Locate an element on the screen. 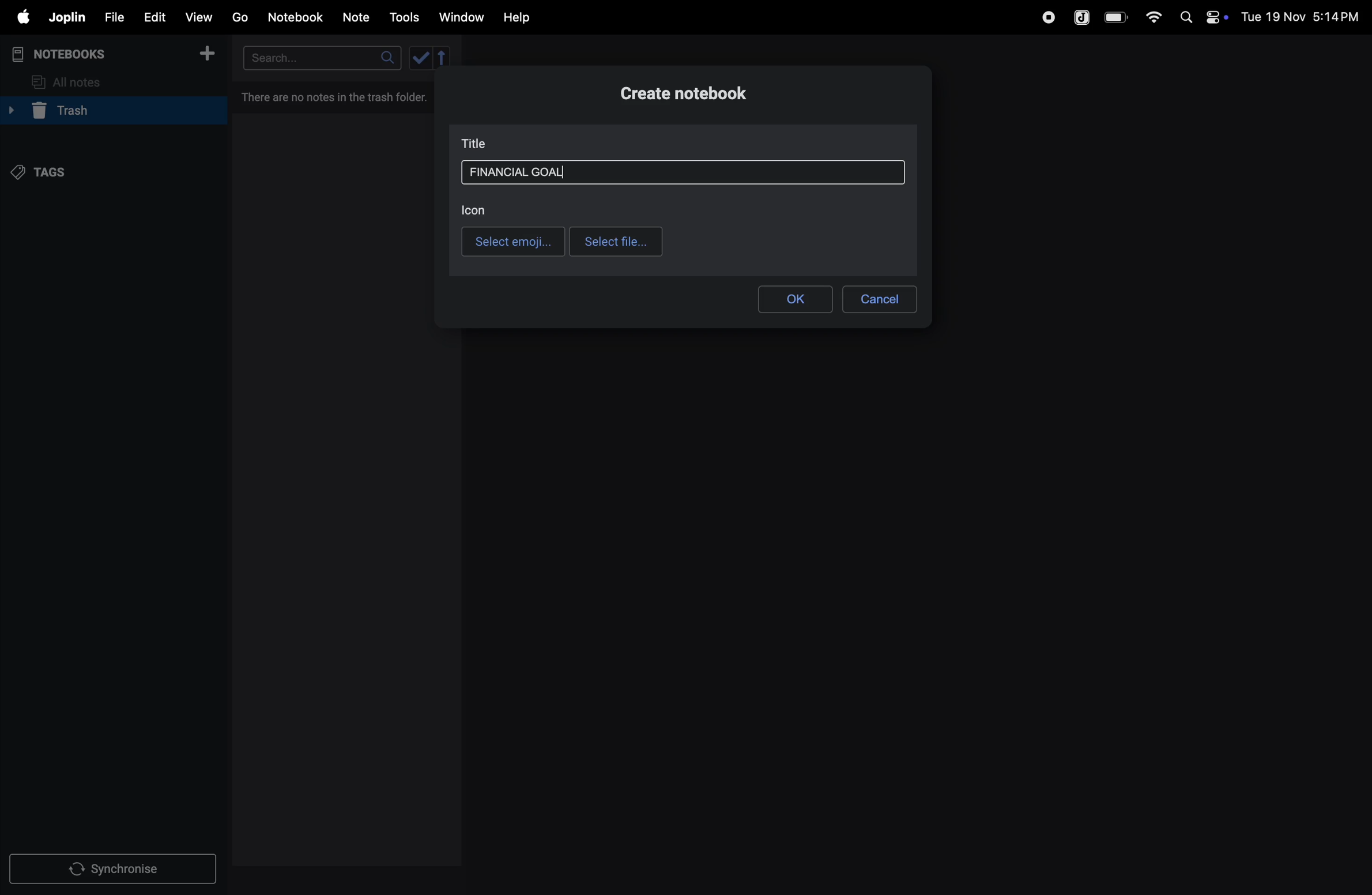  apple menu is located at coordinates (17, 17).